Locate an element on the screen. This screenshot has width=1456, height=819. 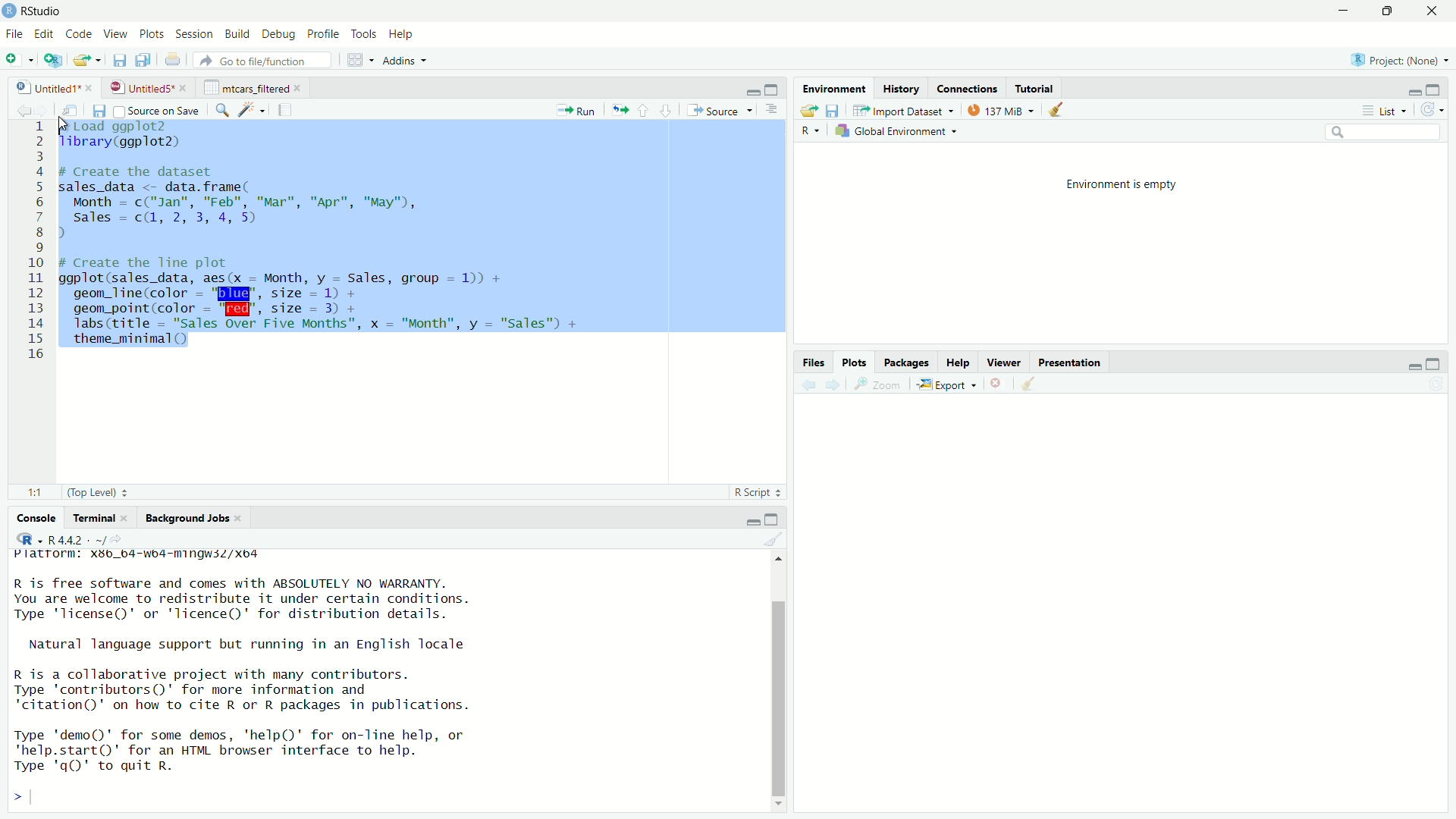
History is located at coordinates (900, 89).